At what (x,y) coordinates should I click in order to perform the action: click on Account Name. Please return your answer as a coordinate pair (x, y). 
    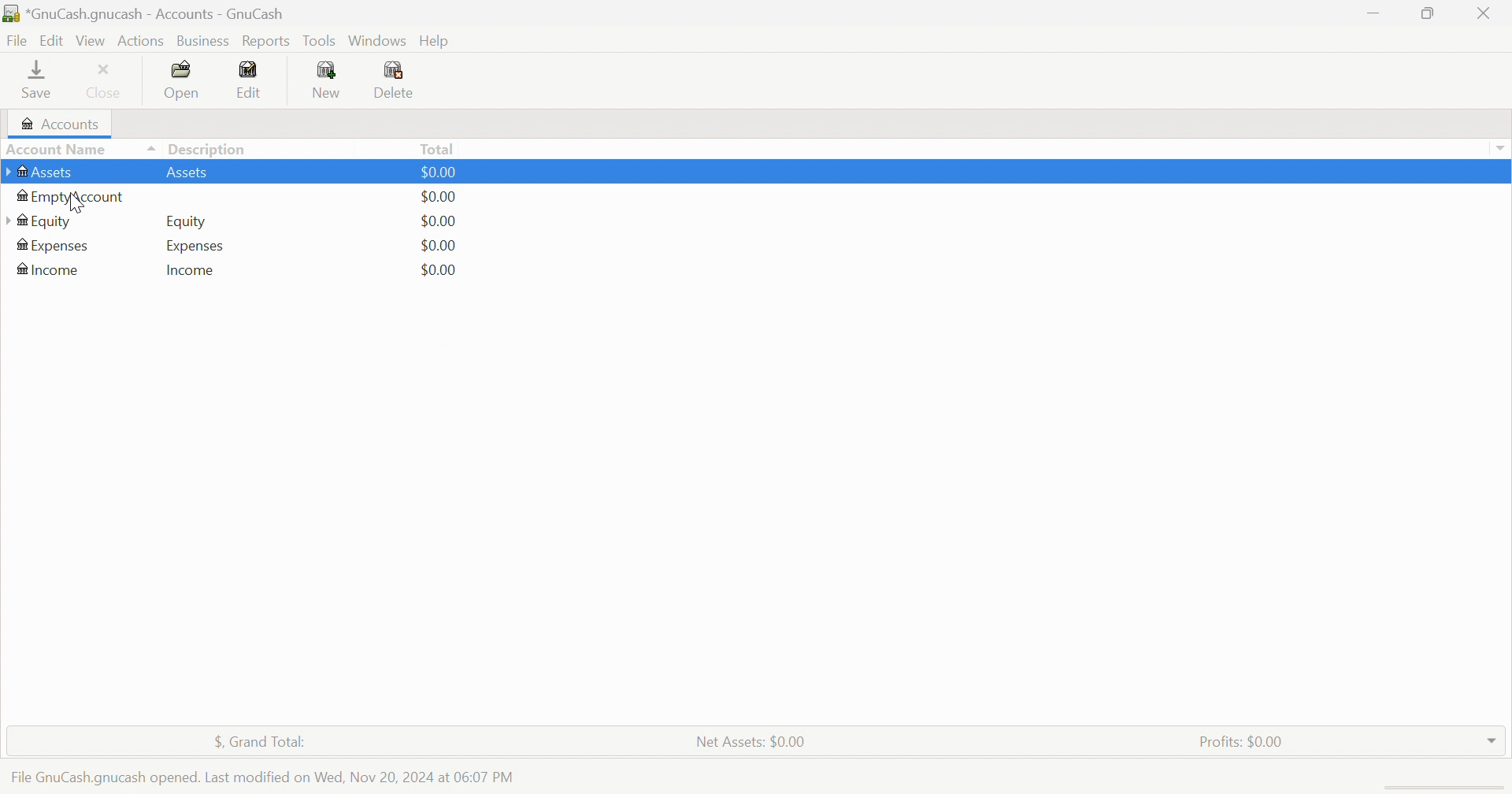
    Looking at the image, I should click on (81, 150).